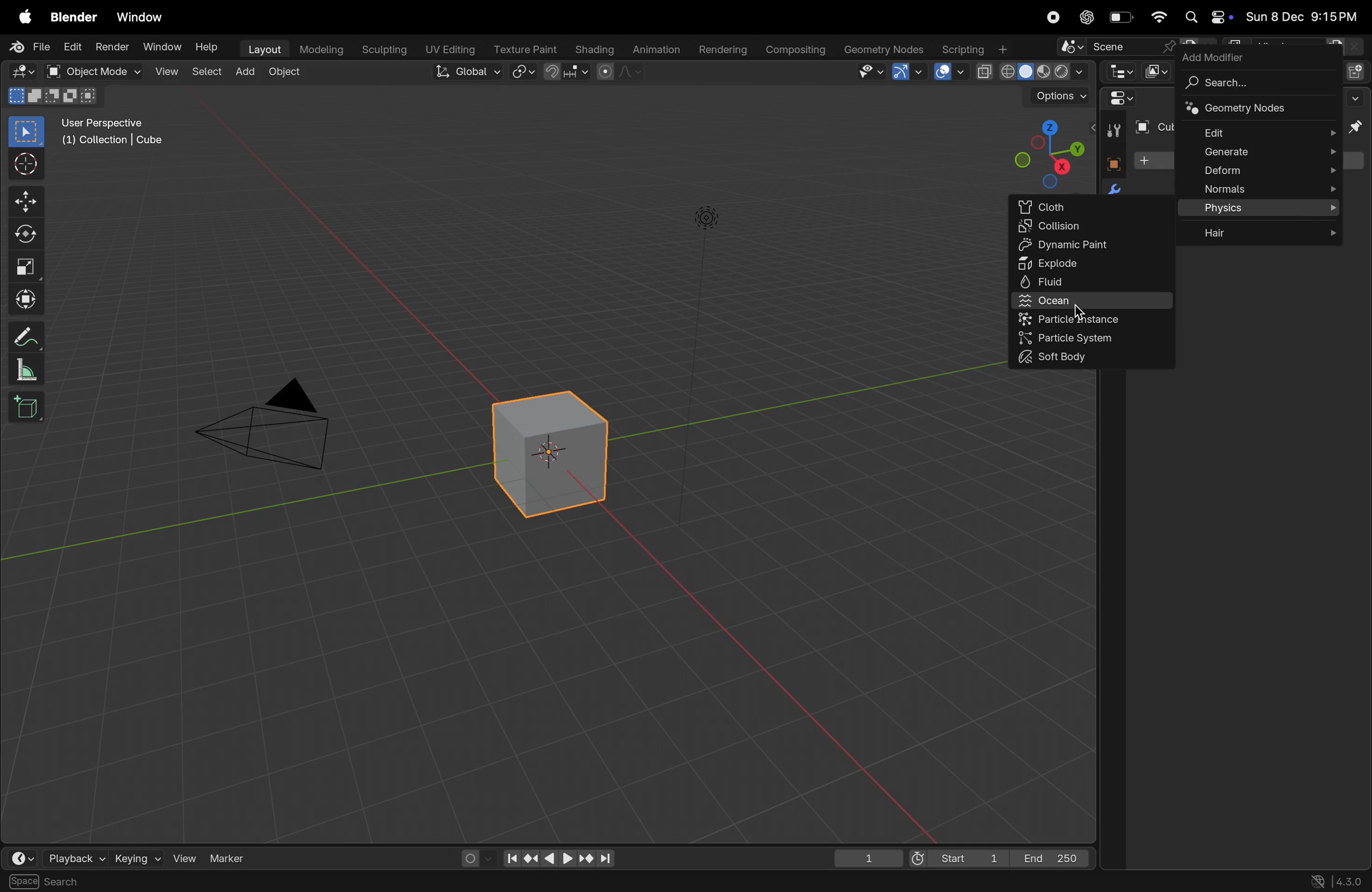 This screenshot has width=1372, height=892. What do you see at coordinates (52, 71) in the screenshot?
I see `open` at bounding box center [52, 71].